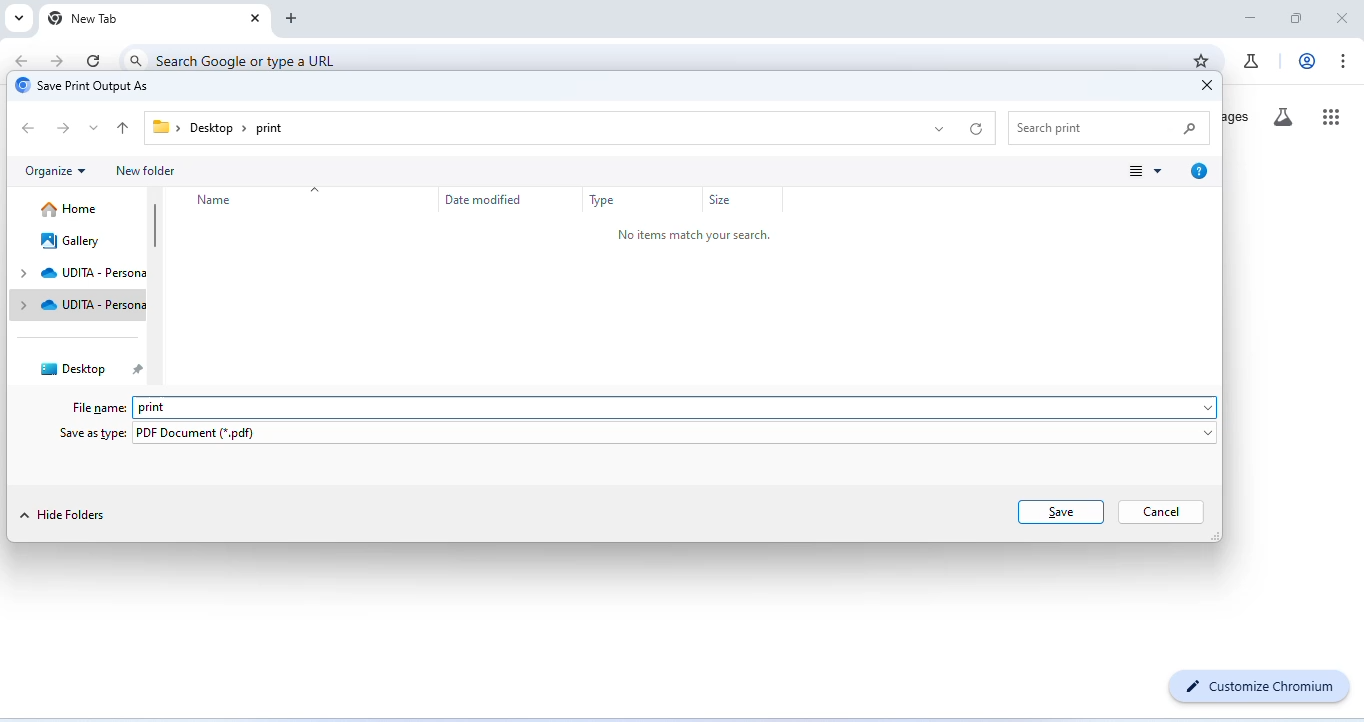  I want to click on get help, so click(1199, 172).